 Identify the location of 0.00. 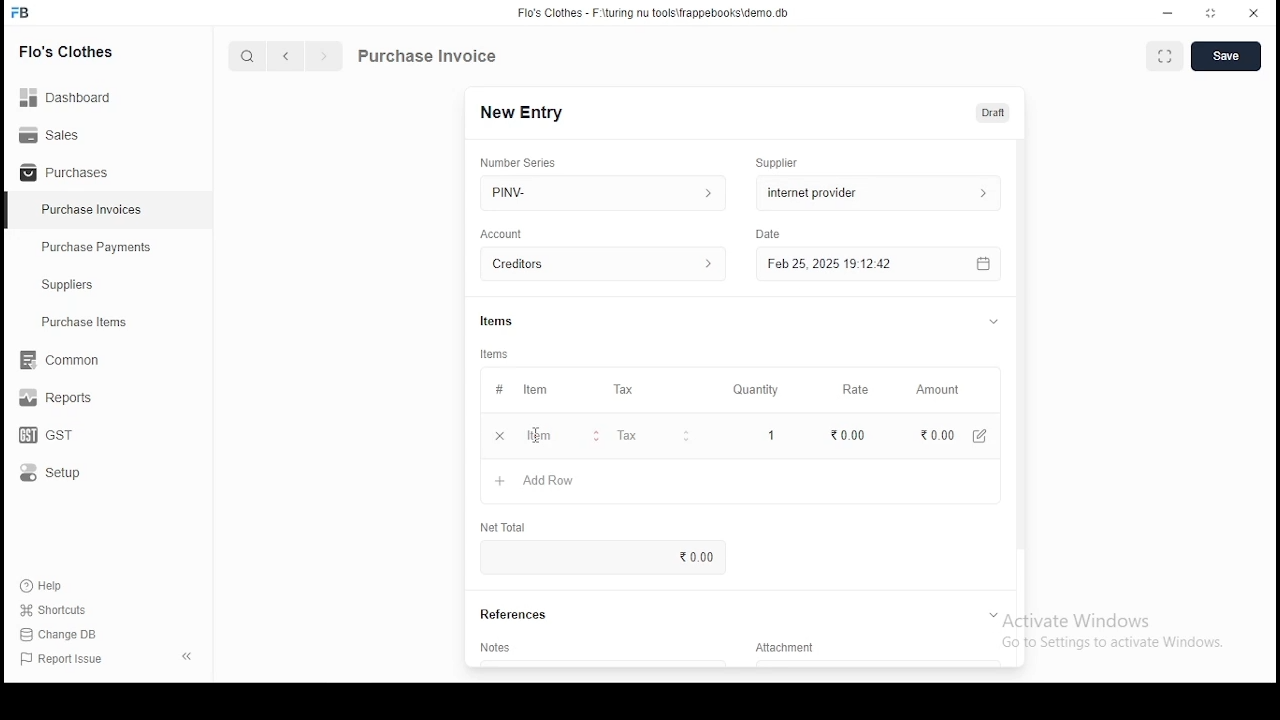
(849, 434).